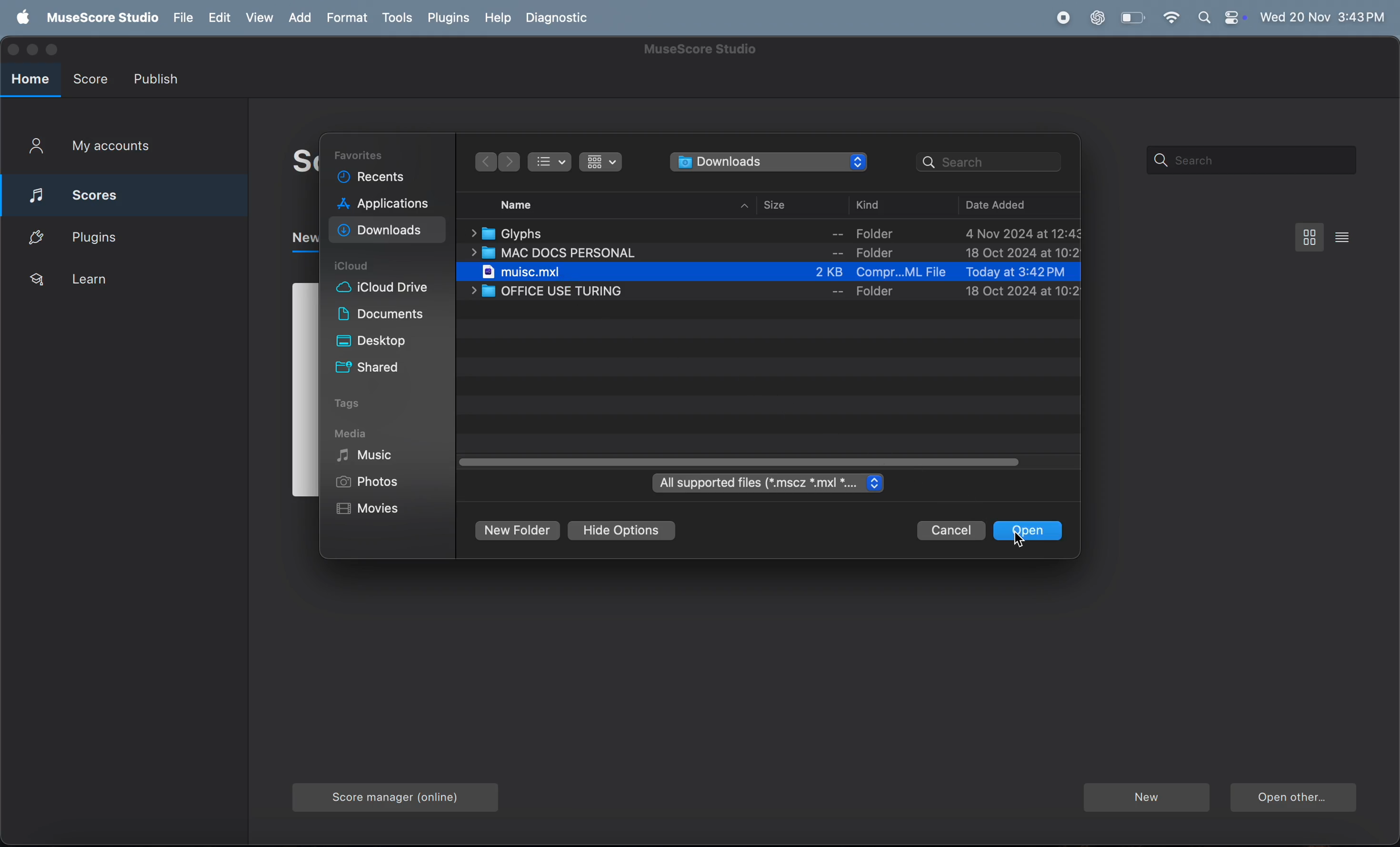 The width and height of the screenshot is (1400, 847). Describe the element at coordinates (388, 232) in the screenshot. I see `downloads` at that location.